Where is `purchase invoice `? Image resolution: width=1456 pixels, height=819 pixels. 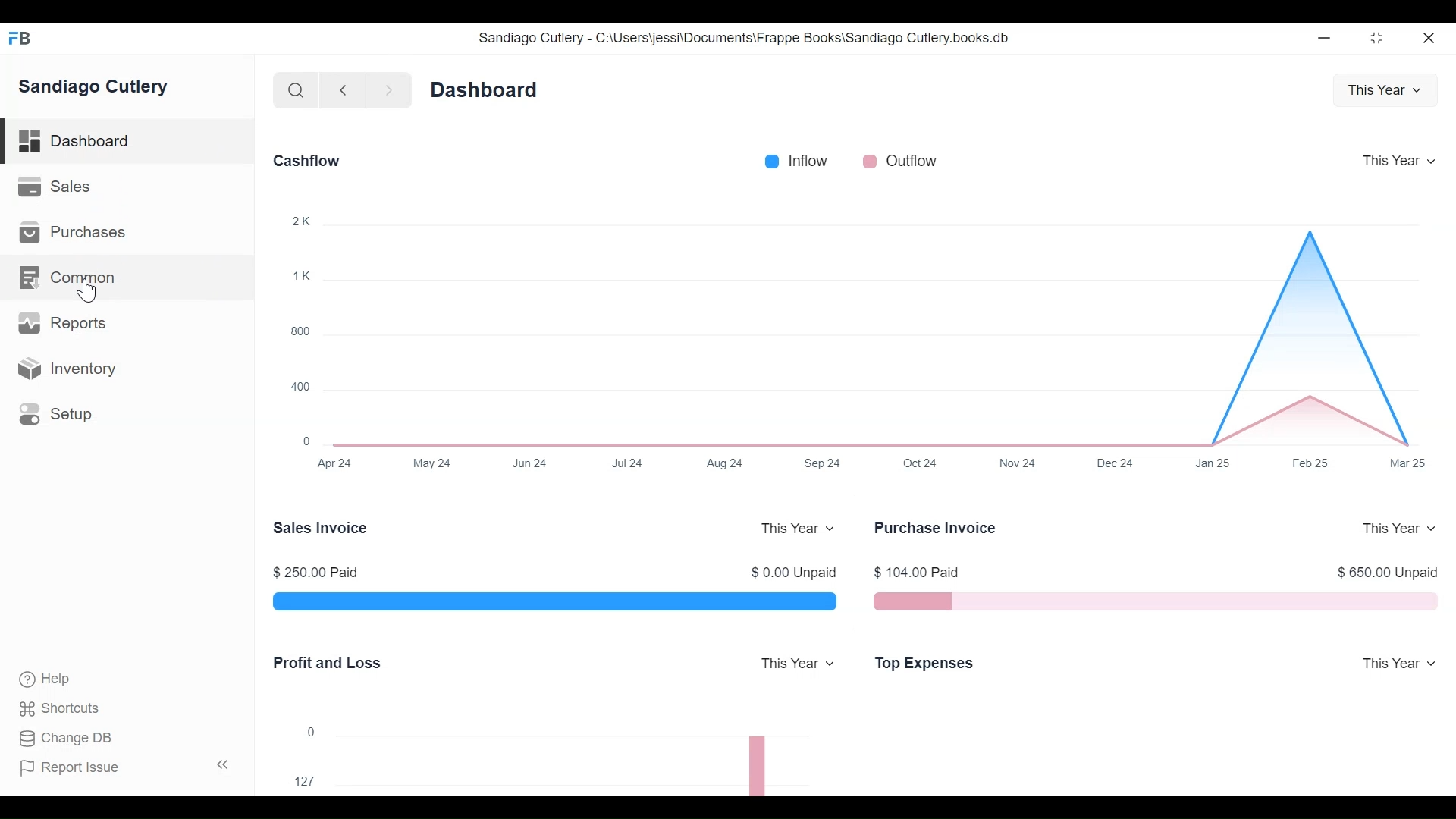
purchase invoice  is located at coordinates (1156, 602).